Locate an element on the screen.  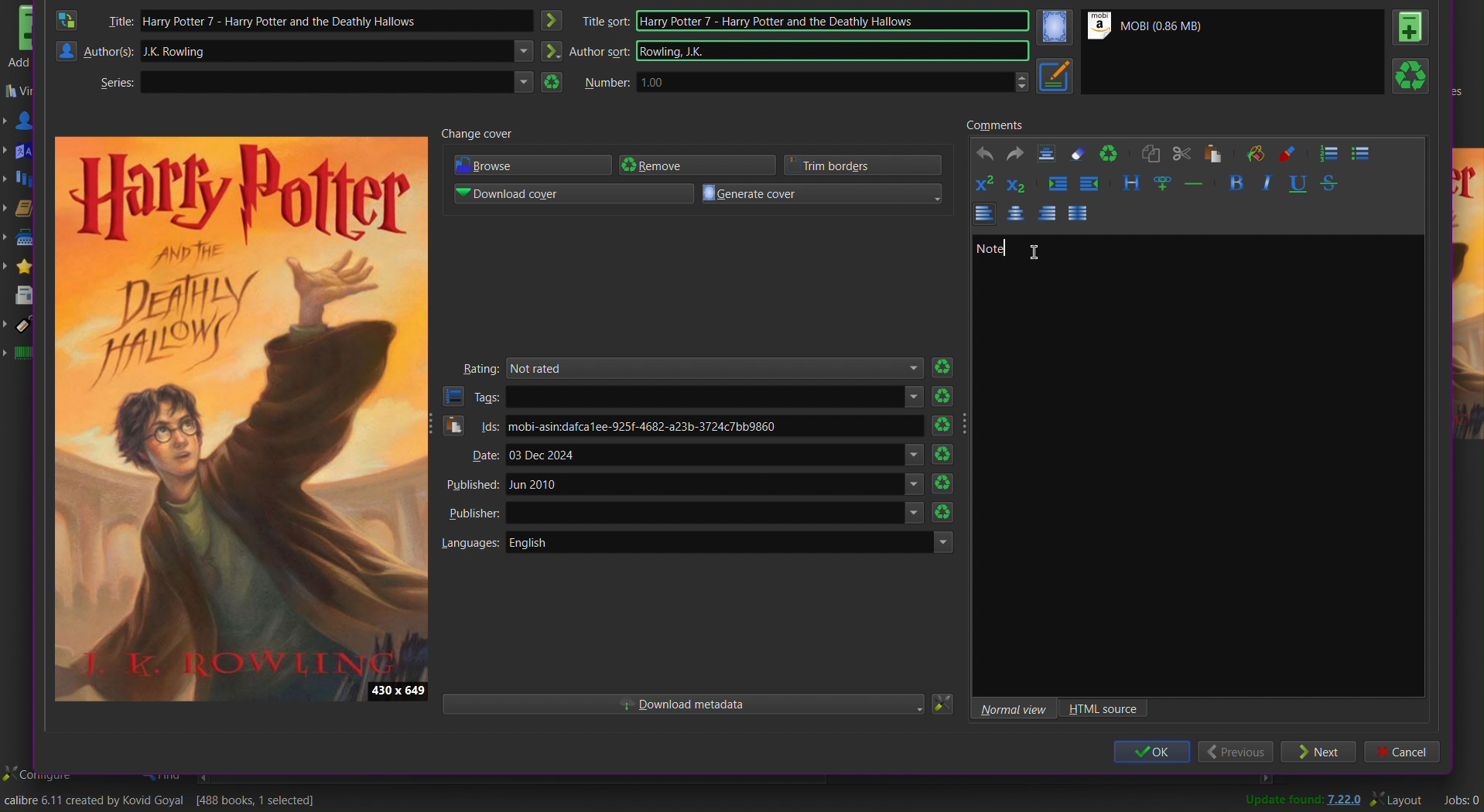
Book is located at coordinates (1412, 26).